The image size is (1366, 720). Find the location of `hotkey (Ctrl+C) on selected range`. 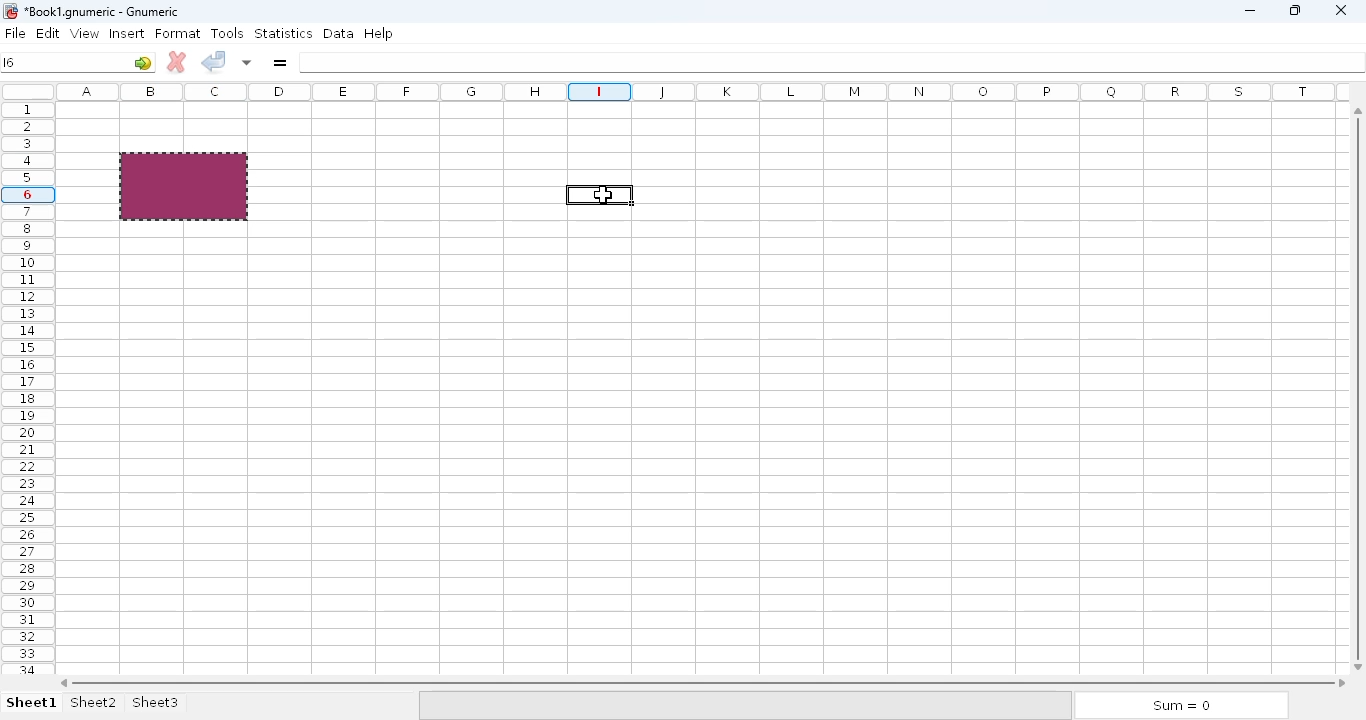

hotkey (Ctrl+C) on selected range is located at coordinates (183, 187).